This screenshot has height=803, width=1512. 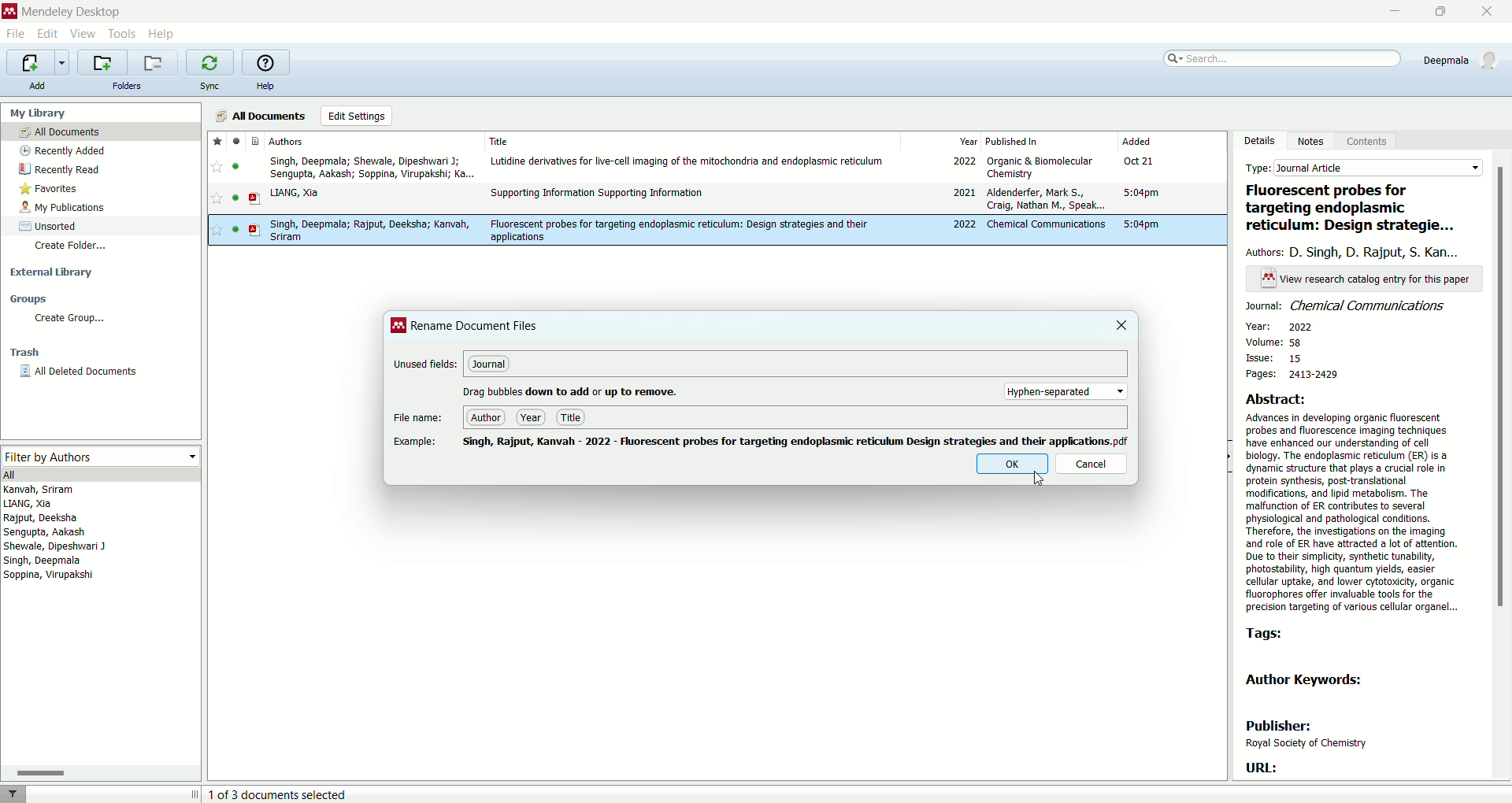 I want to click on favorites, so click(x=52, y=190).